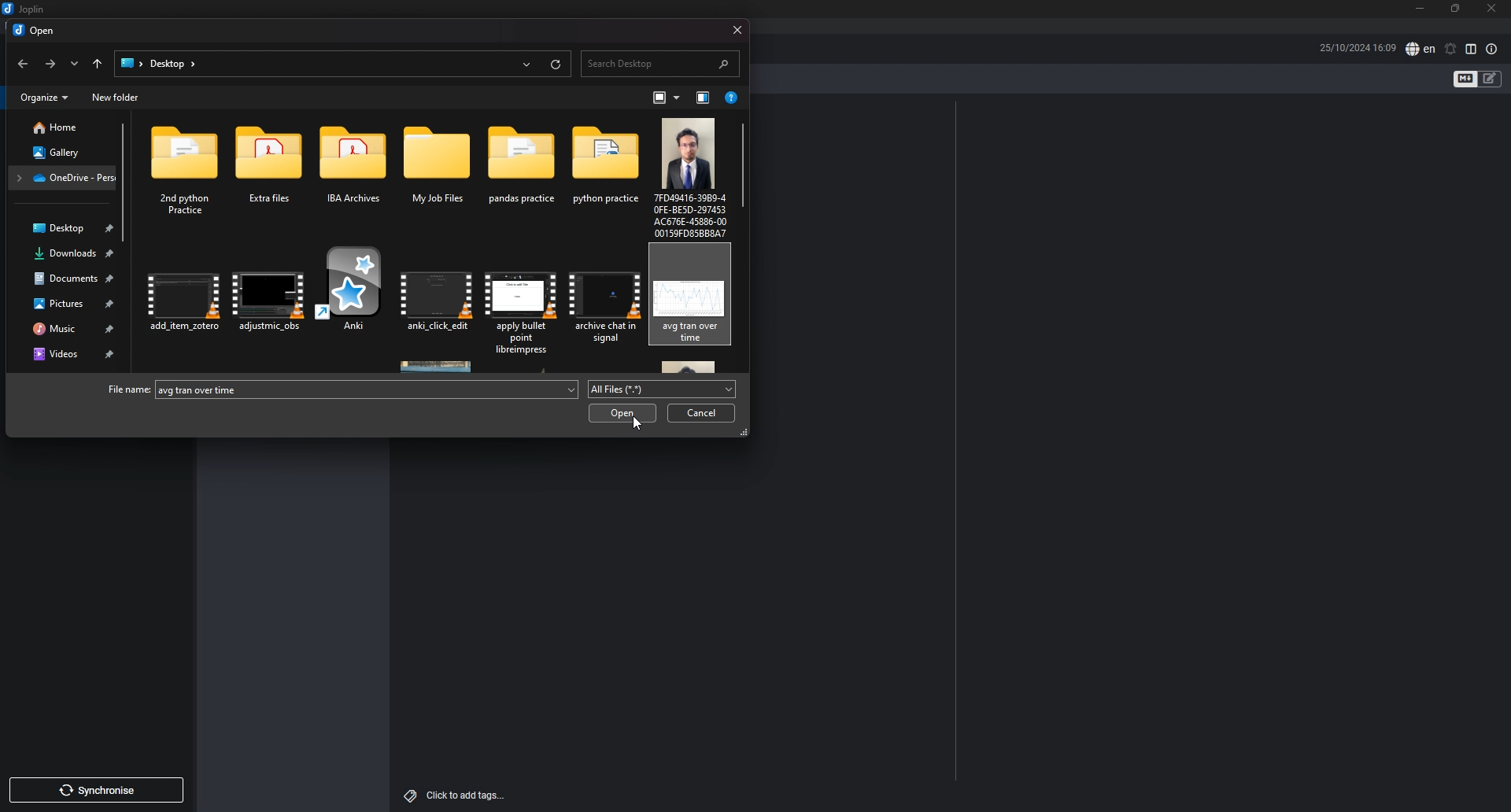 The width and height of the screenshot is (1511, 812). Describe the element at coordinates (731, 98) in the screenshot. I see `get help` at that location.